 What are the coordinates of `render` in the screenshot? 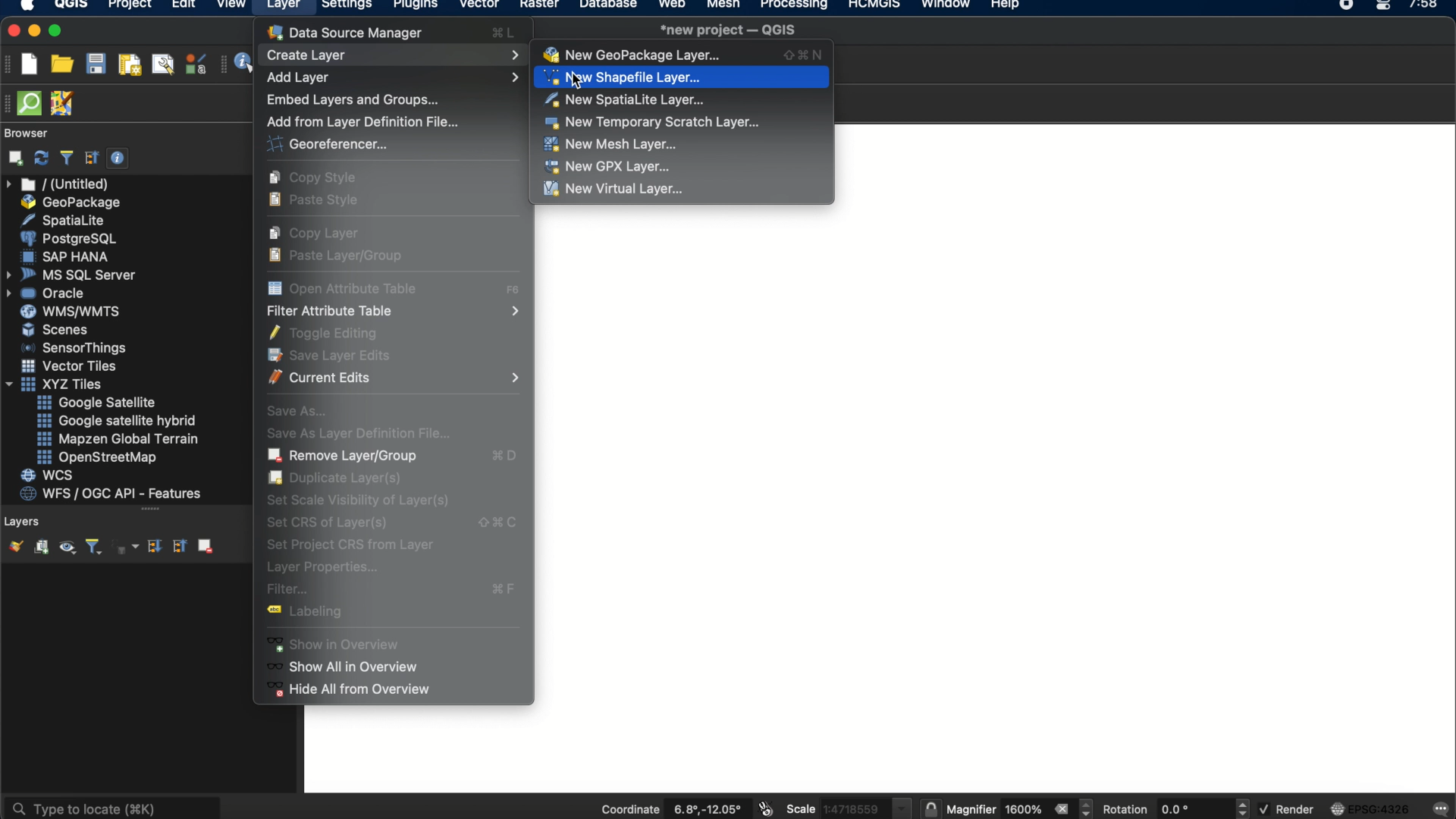 It's located at (1288, 810).